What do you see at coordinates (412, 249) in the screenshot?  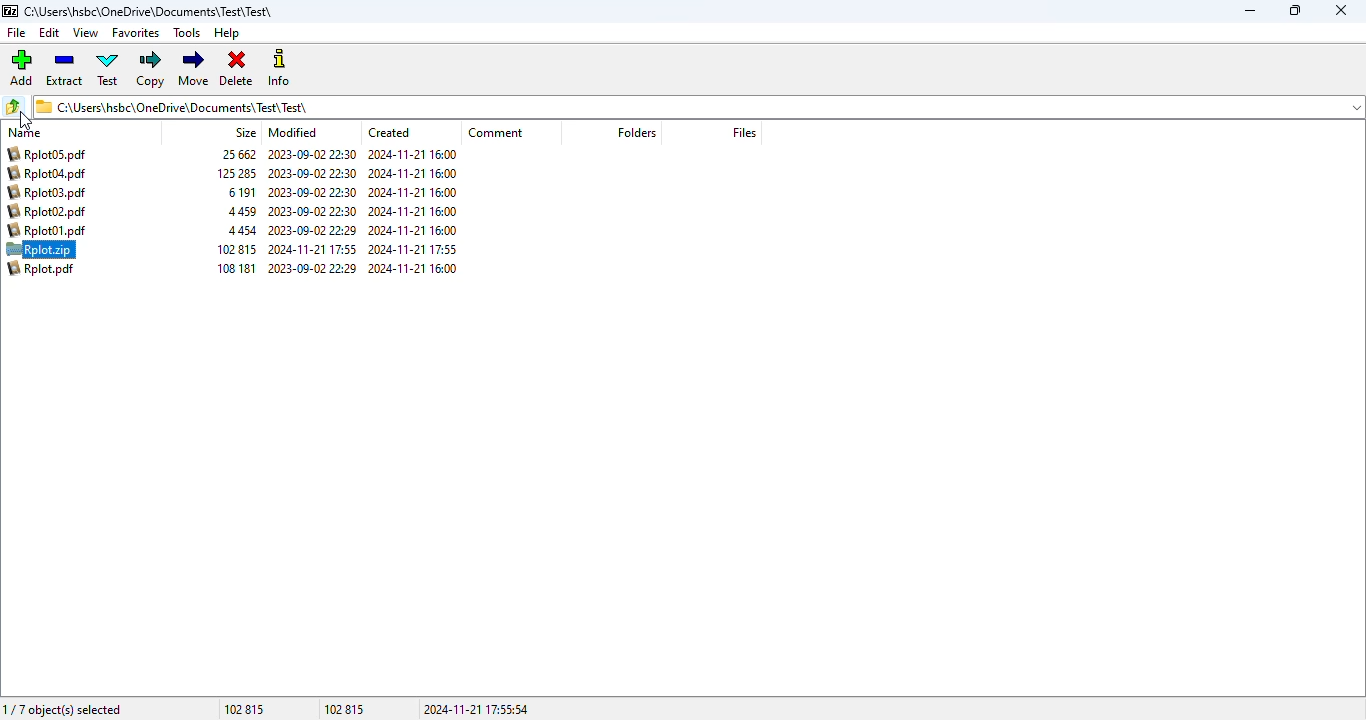 I see `2024-11-21 17:55` at bounding box center [412, 249].